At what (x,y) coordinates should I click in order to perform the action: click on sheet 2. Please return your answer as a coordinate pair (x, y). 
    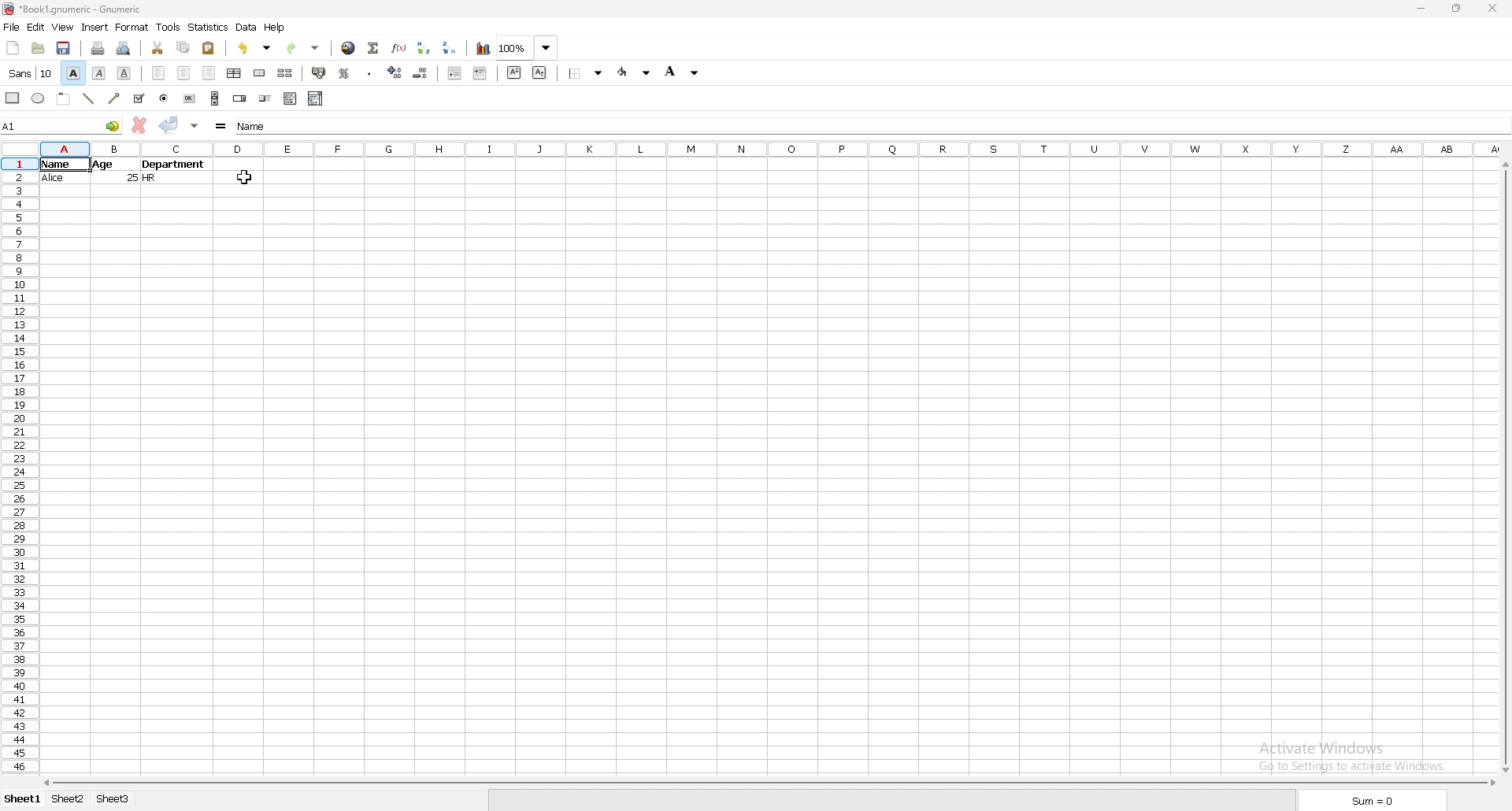
    Looking at the image, I should click on (69, 799).